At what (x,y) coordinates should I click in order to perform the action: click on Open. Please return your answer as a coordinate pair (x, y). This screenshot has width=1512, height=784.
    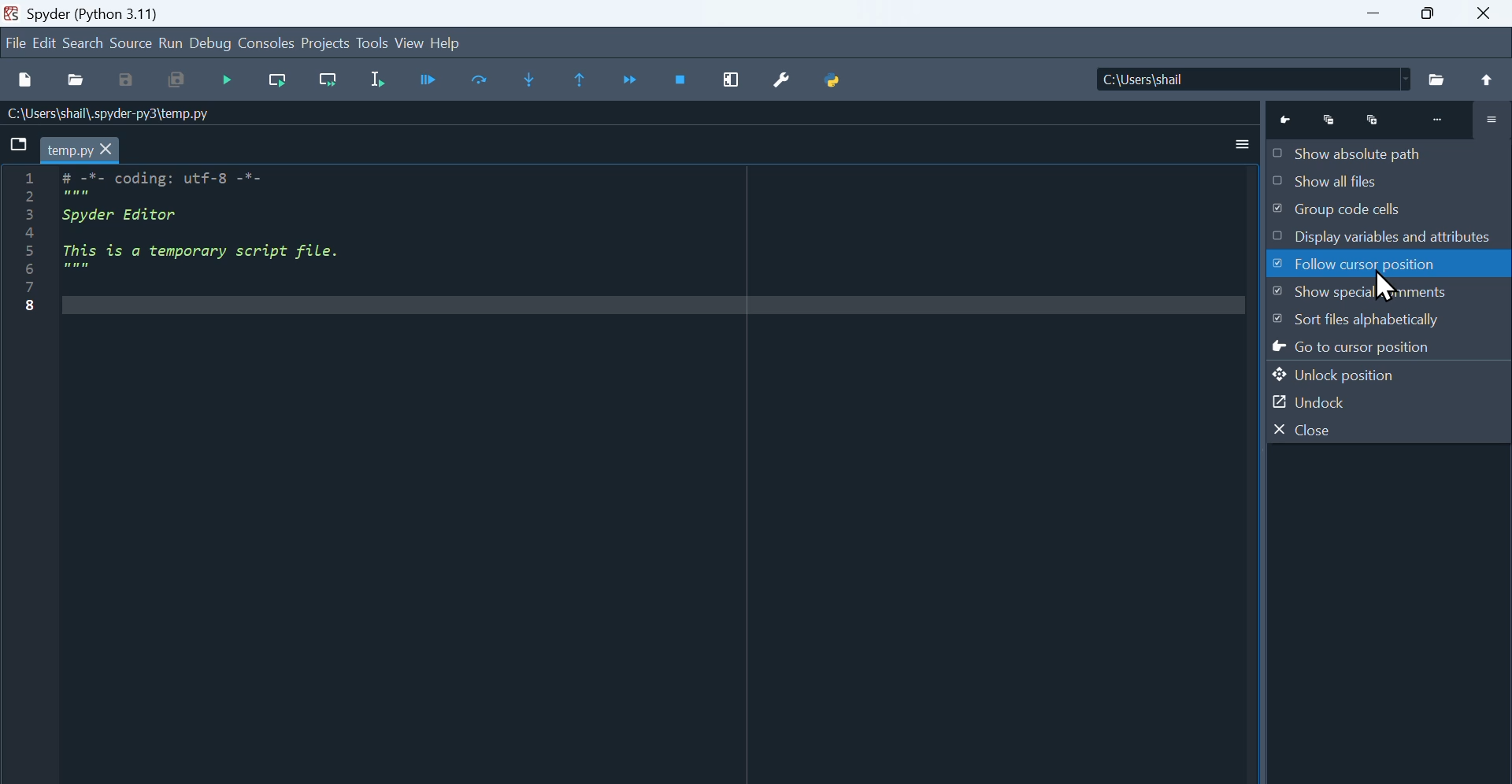
    Looking at the image, I should click on (75, 81).